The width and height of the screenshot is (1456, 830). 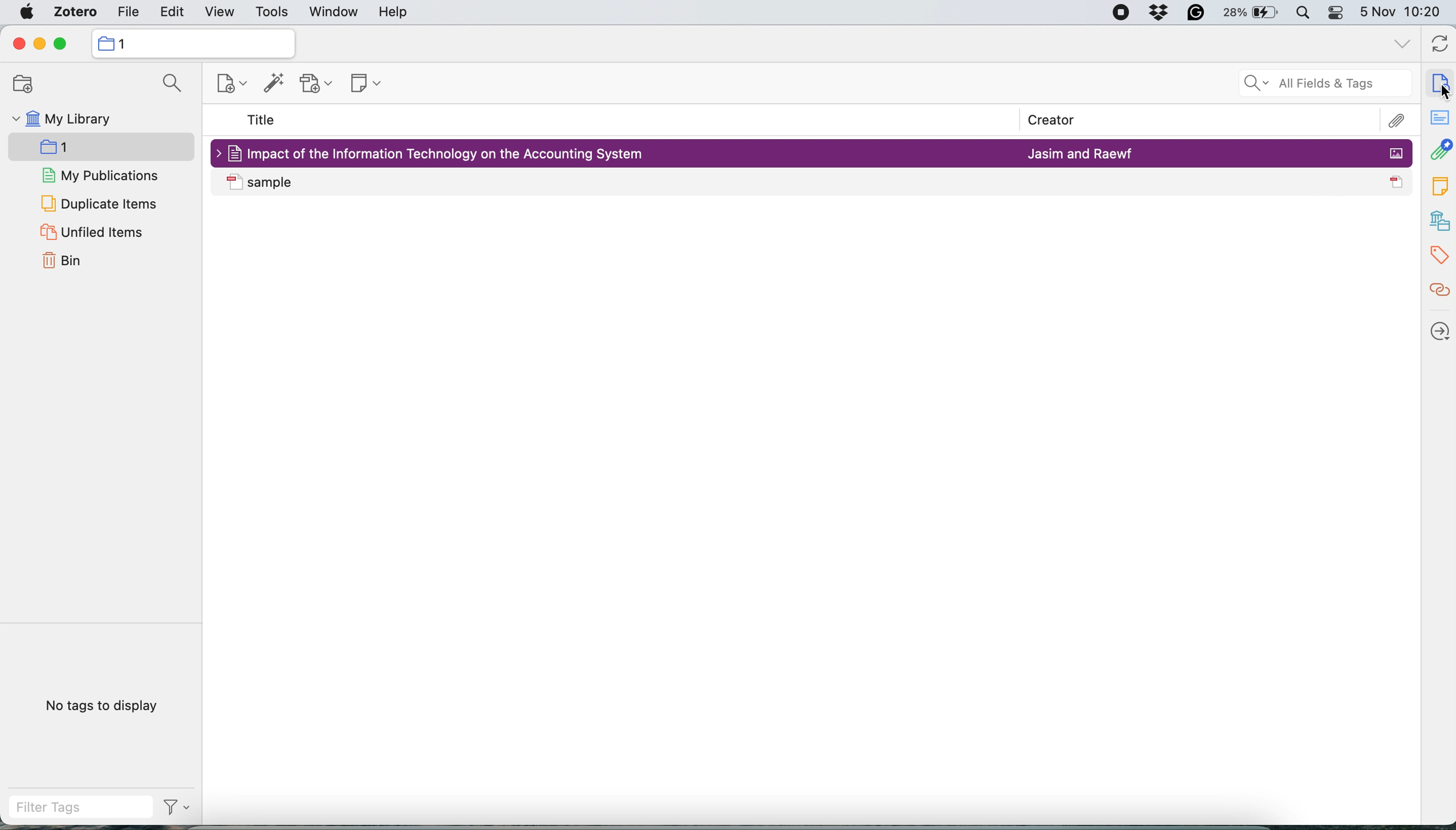 What do you see at coordinates (233, 153) in the screenshot?
I see `icon` at bounding box center [233, 153].